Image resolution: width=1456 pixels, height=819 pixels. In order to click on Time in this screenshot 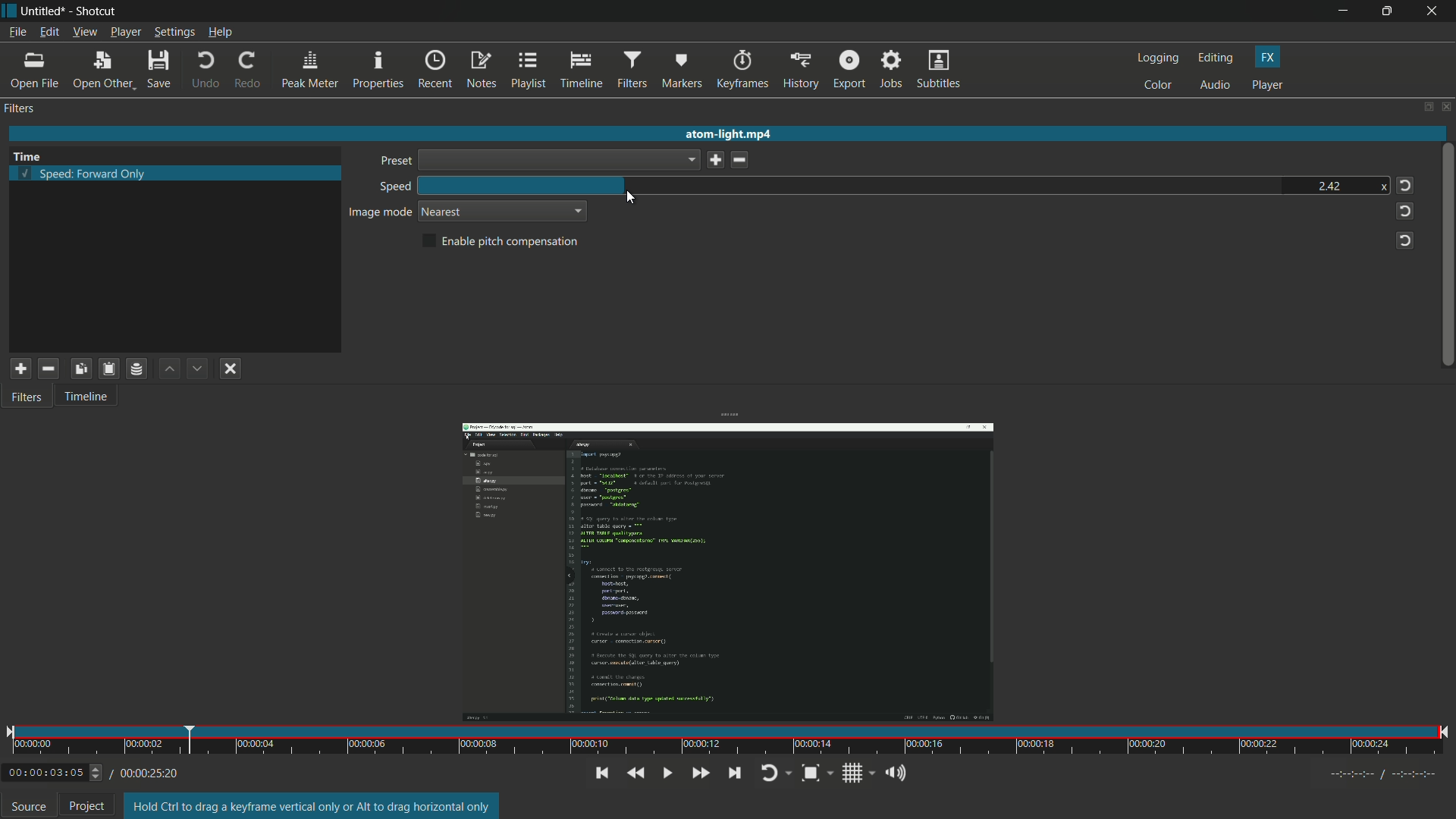, I will do `click(35, 154)`.